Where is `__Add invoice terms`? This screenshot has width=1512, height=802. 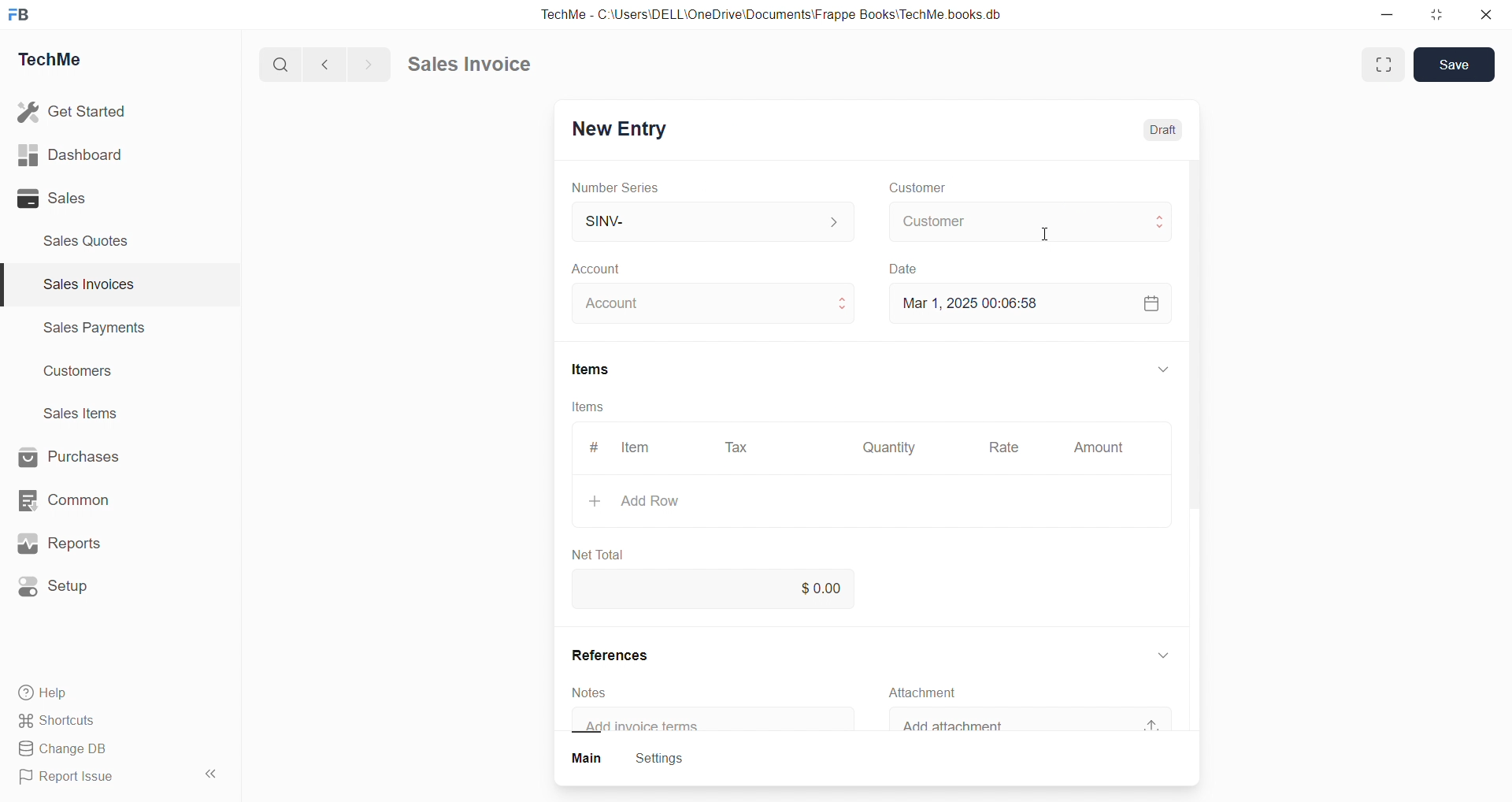 __Add invoice terms is located at coordinates (650, 726).